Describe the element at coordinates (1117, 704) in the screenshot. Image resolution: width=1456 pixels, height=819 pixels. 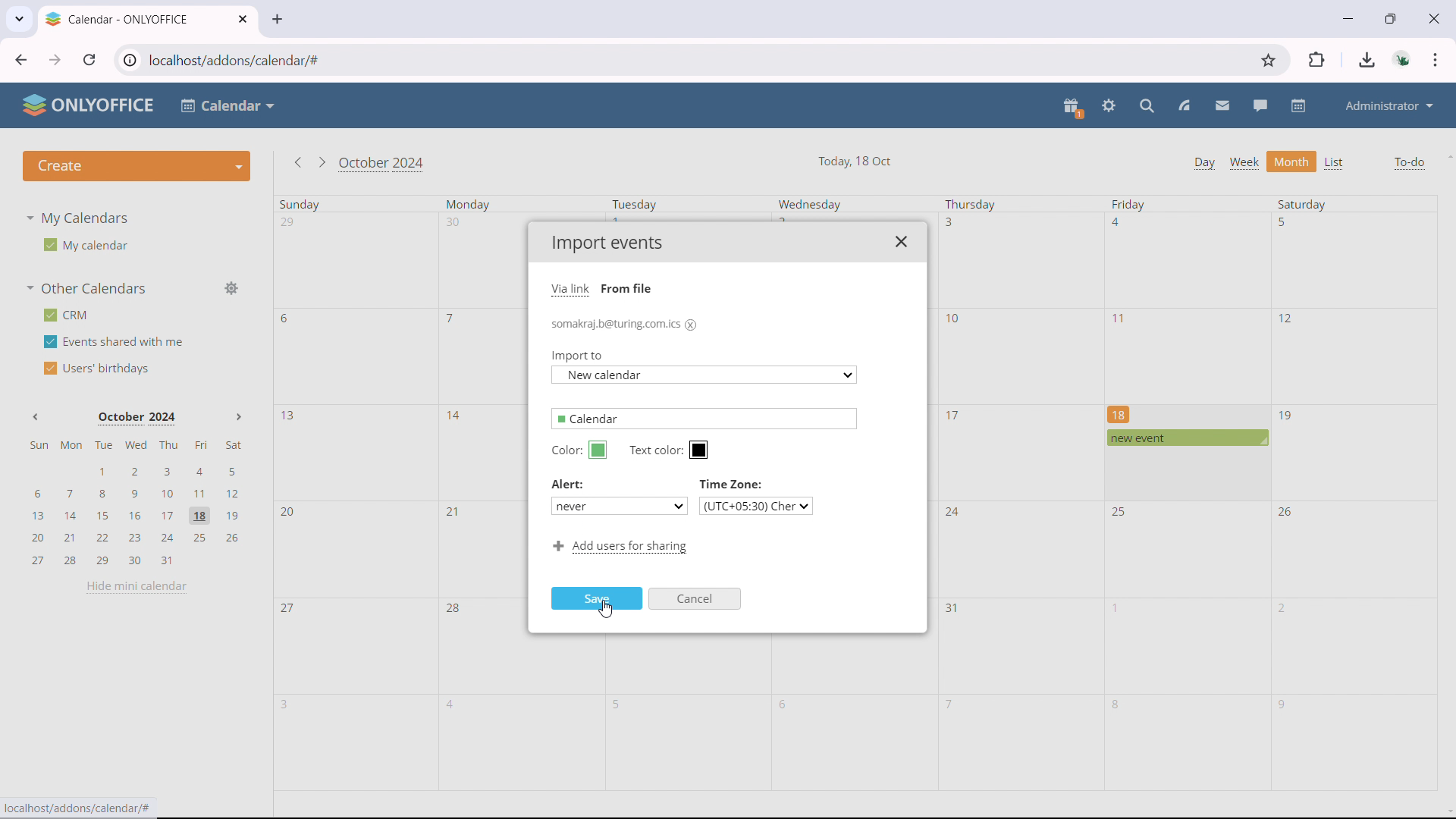
I see `8` at that location.